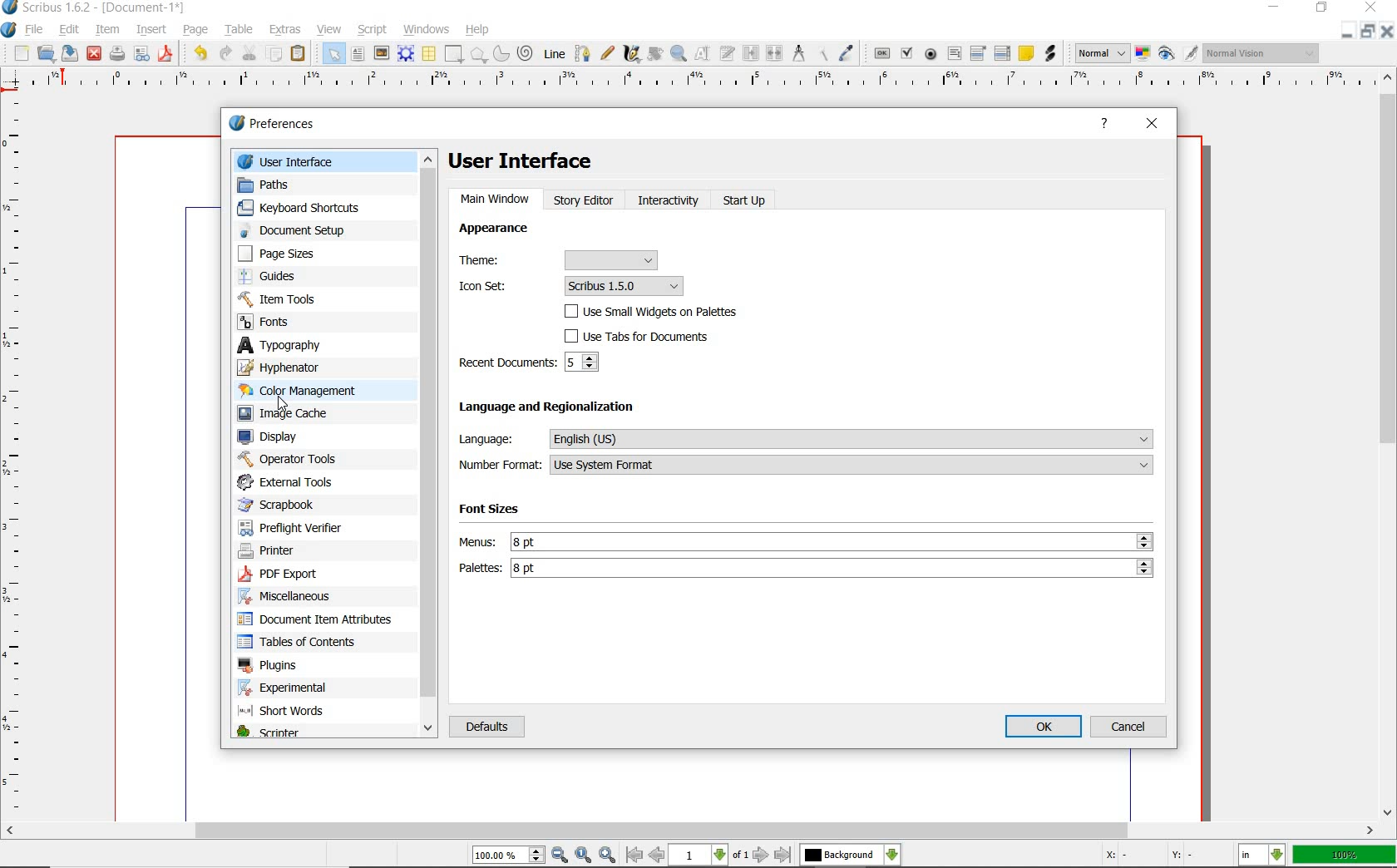 This screenshot has height=868, width=1397. What do you see at coordinates (94, 53) in the screenshot?
I see `close` at bounding box center [94, 53].